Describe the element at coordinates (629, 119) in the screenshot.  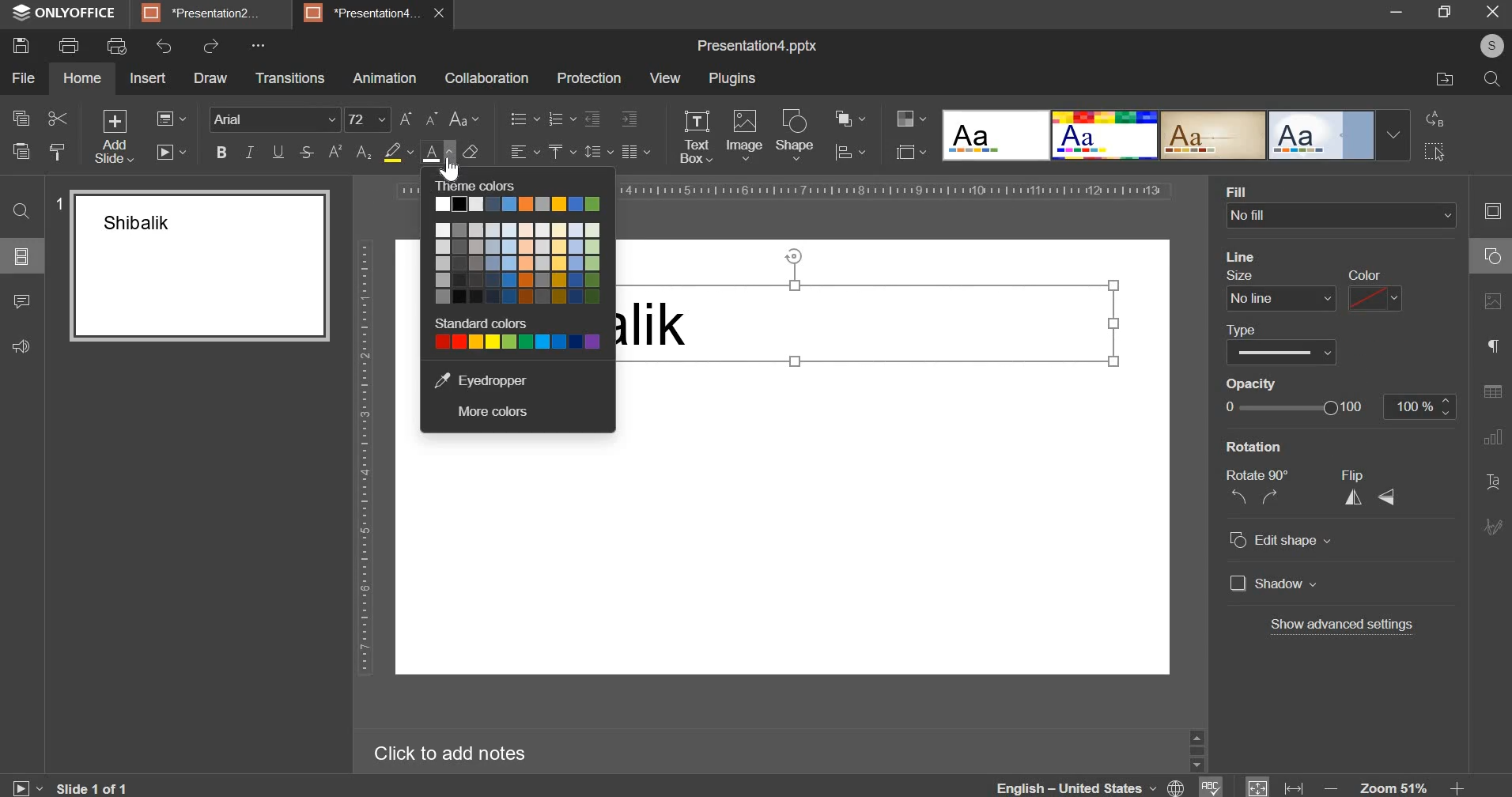
I see `increase indent` at that location.